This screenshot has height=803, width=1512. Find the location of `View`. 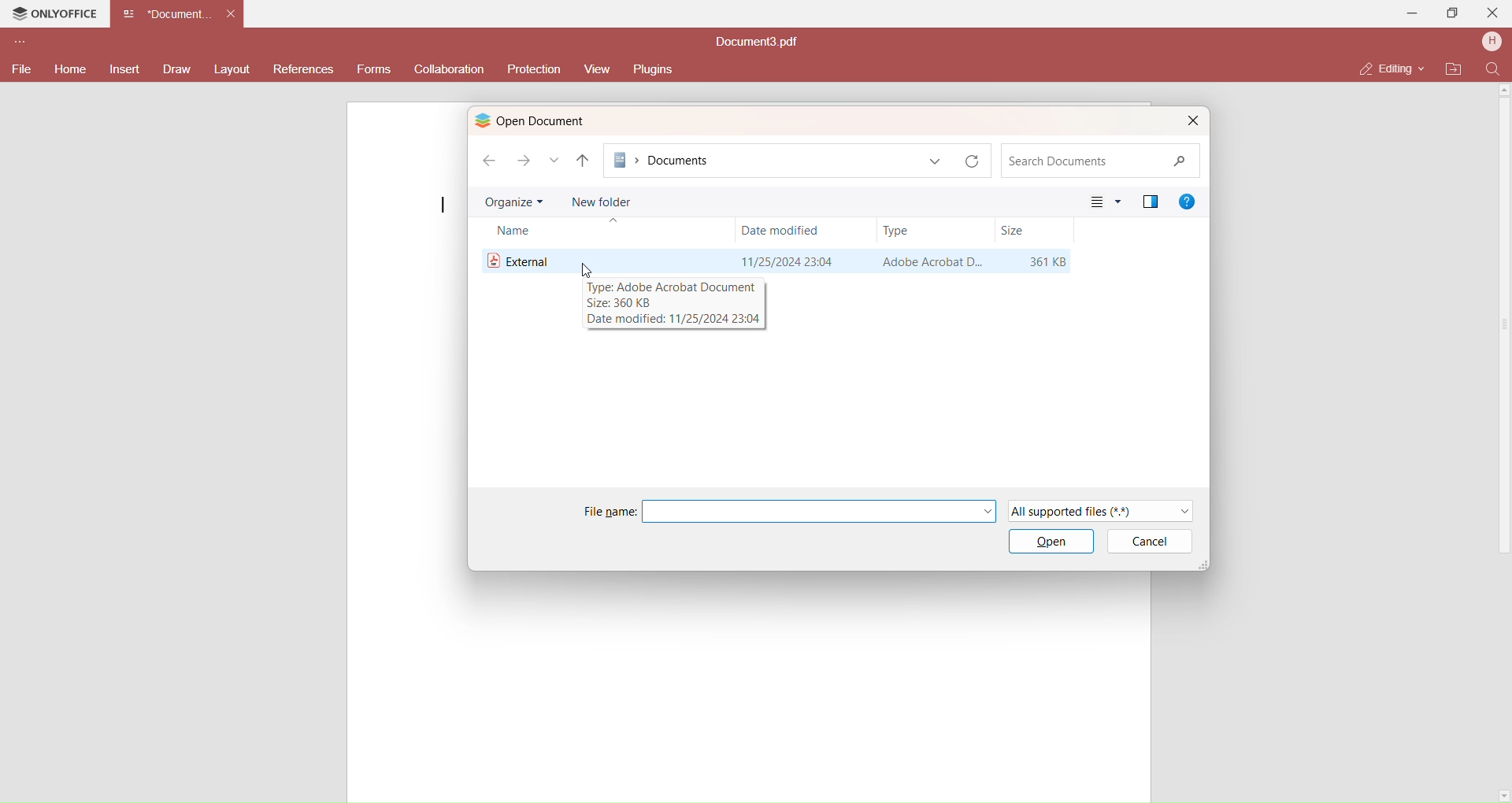

View is located at coordinates (1105, 202).